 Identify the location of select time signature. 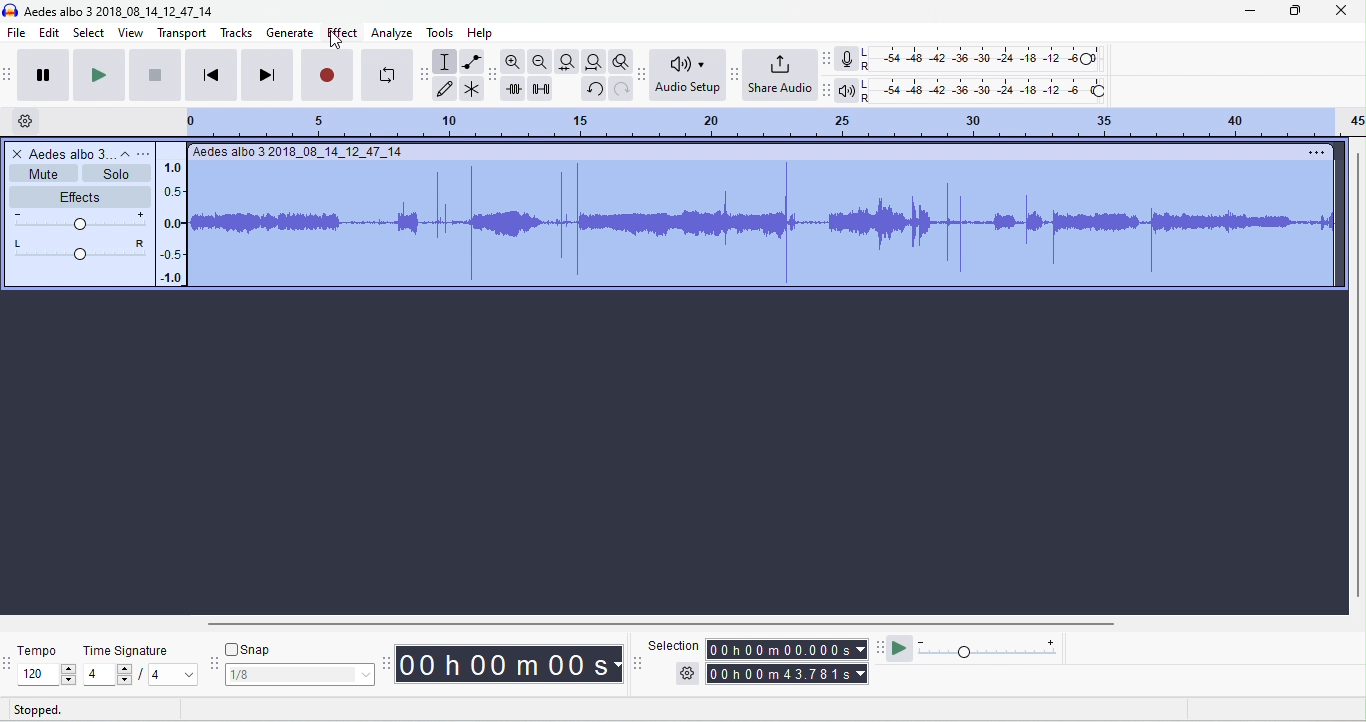
(139, 675).